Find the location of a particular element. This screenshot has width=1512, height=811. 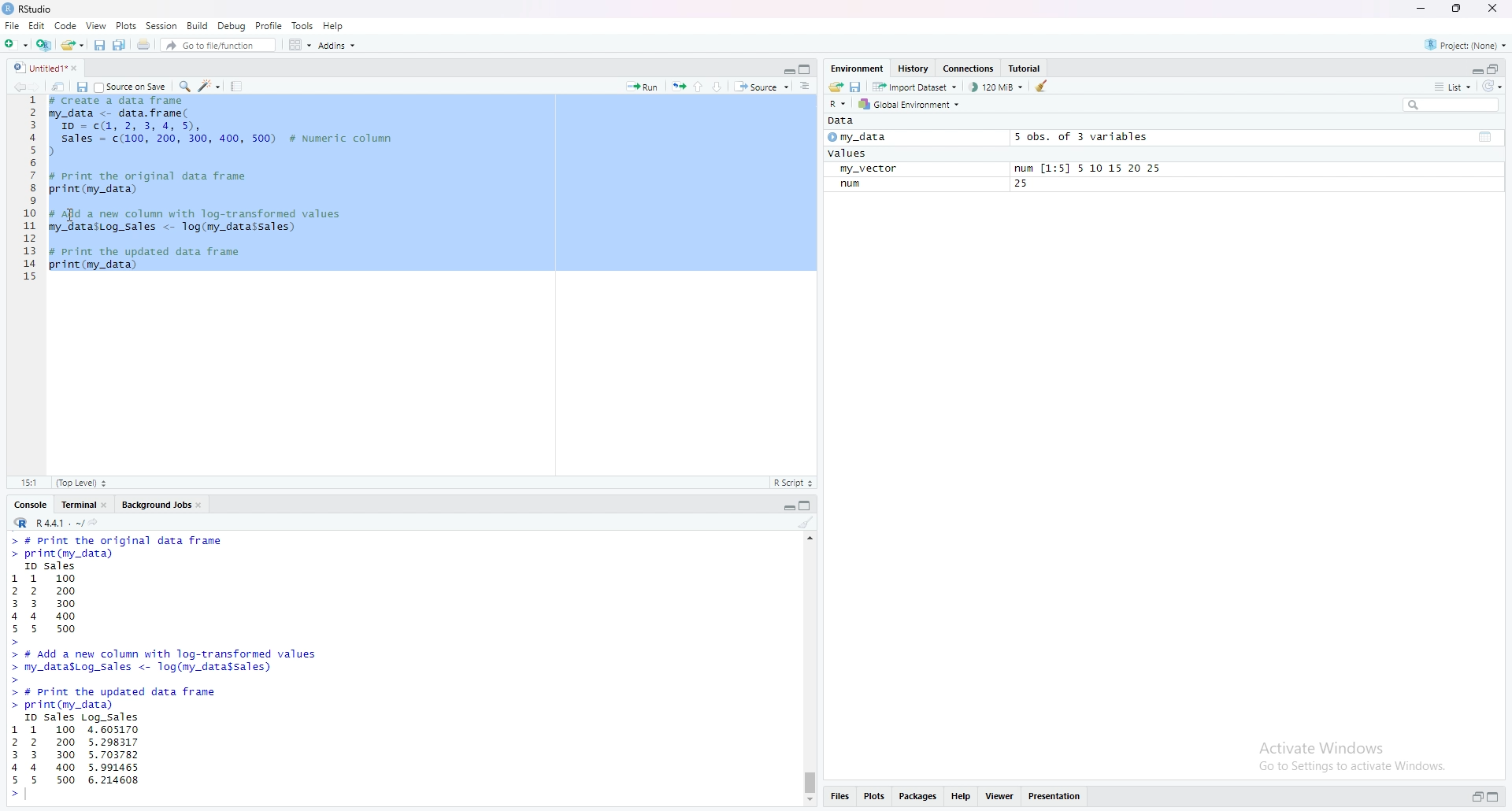

console is located at coordinates (27, 503).